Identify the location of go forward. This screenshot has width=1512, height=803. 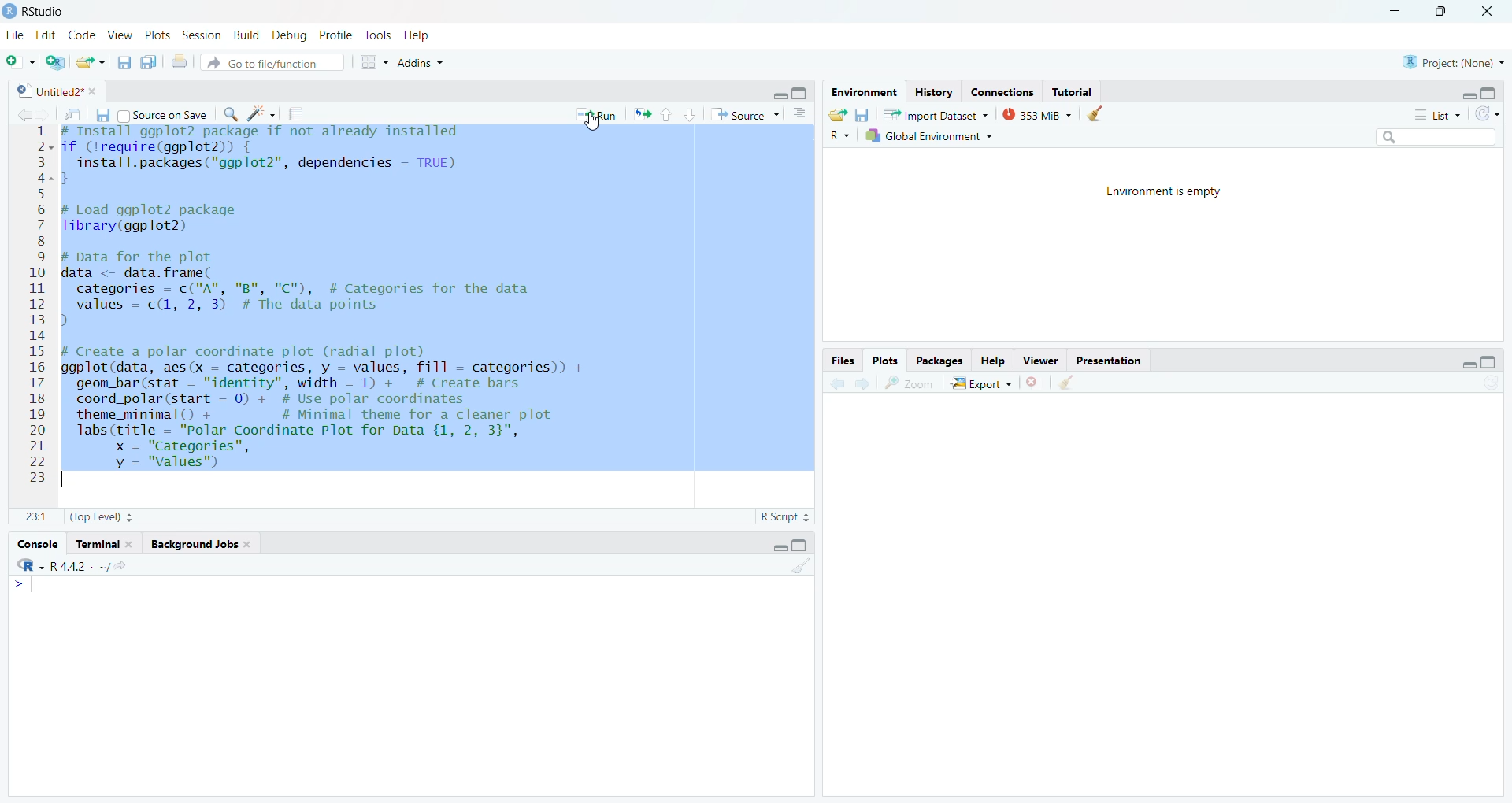
(866, 385).